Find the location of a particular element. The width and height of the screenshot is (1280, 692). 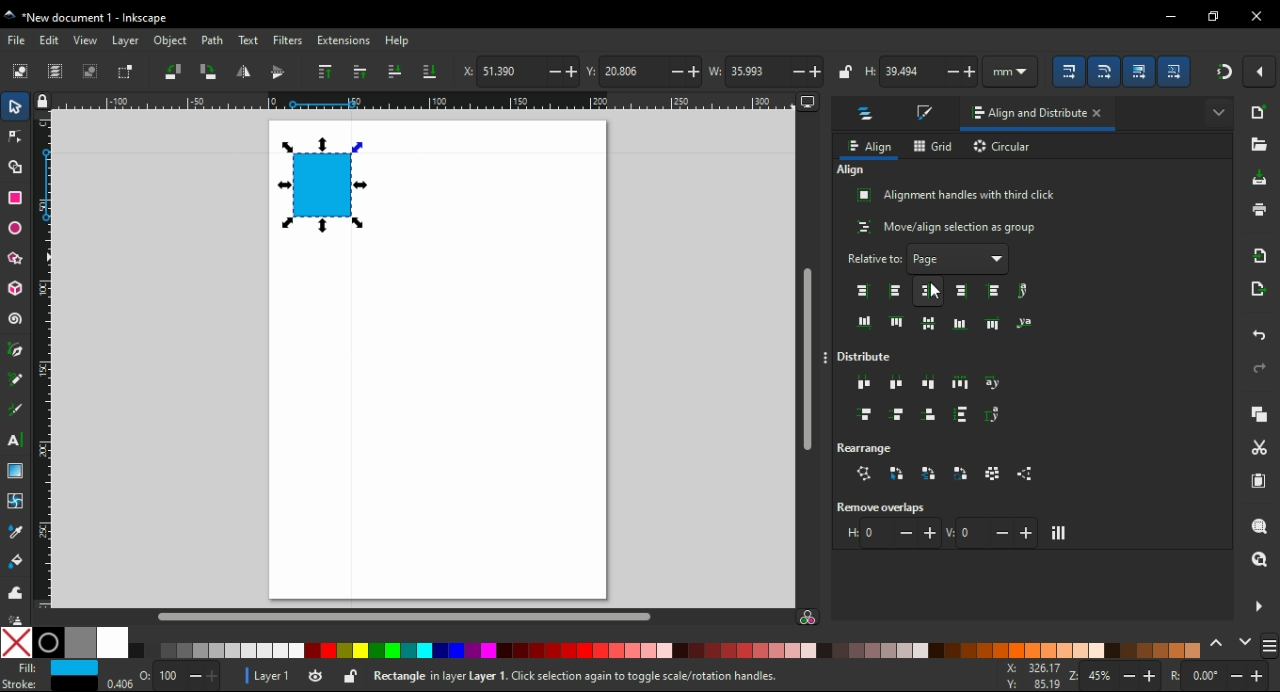

calligraphy tool is located at coordinates (19, 410).